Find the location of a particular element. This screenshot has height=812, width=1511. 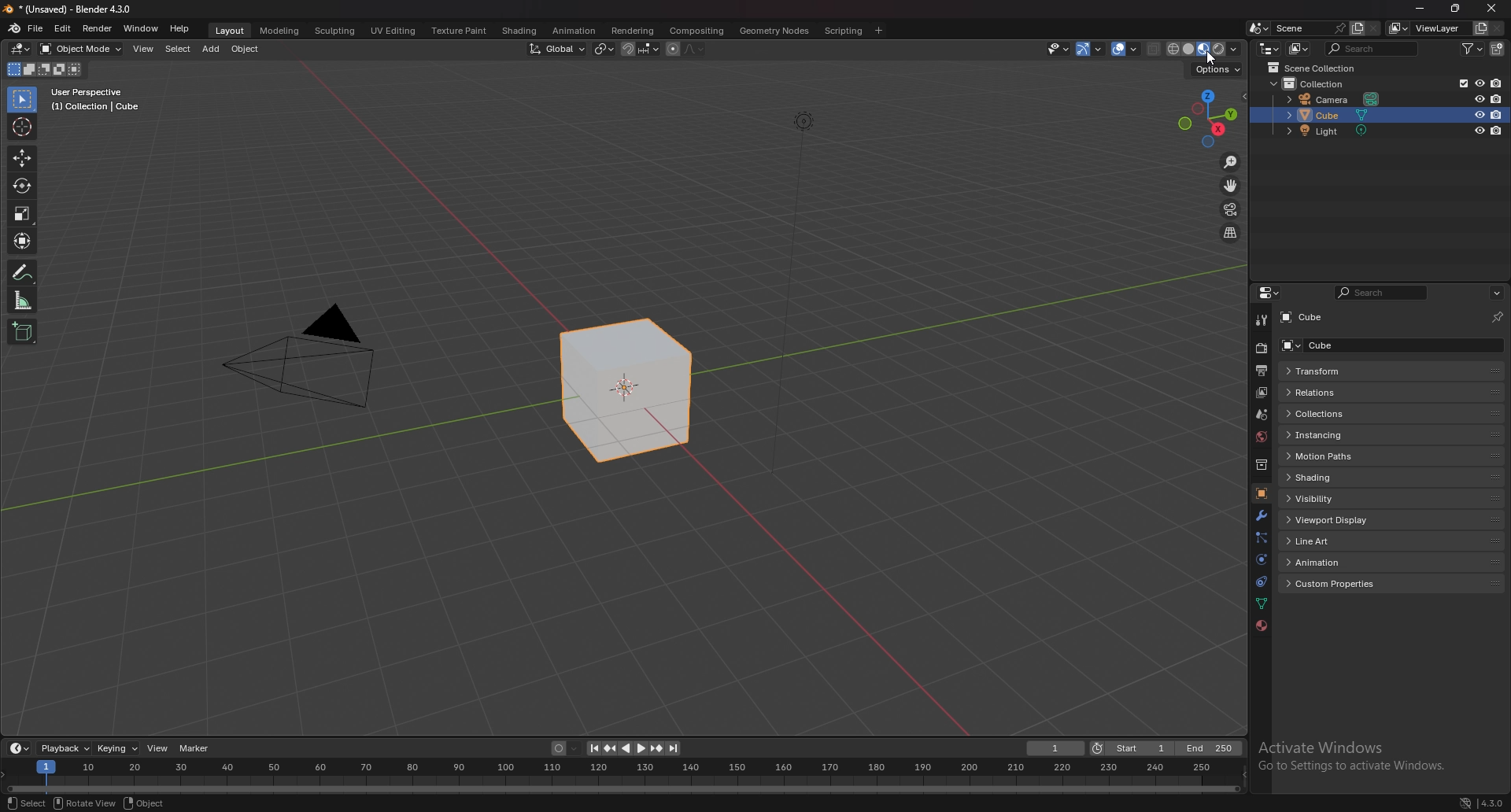

animation is located at coordinates (574, 31).